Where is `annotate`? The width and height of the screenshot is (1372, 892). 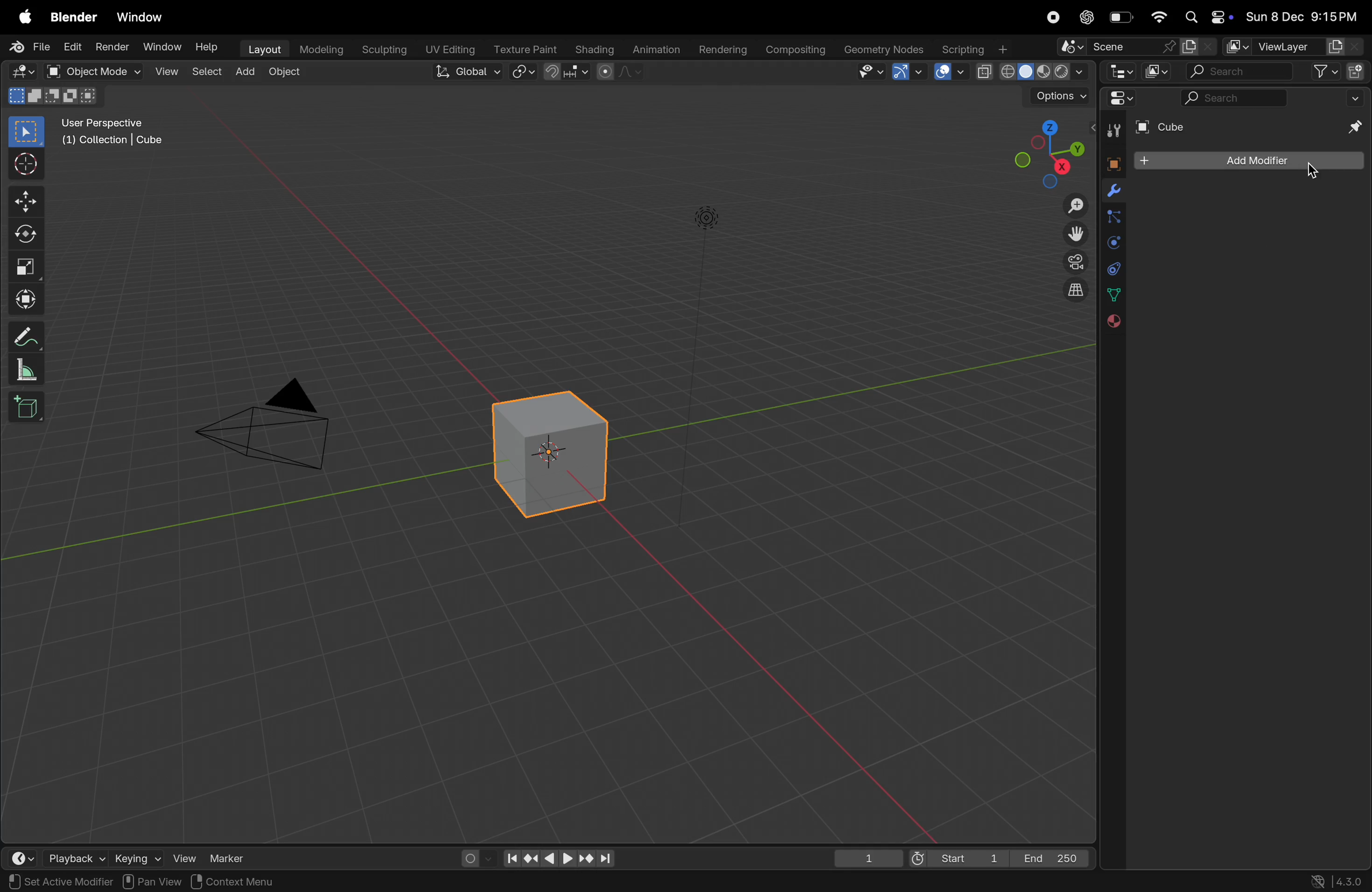
annotate is located at coordinates (26, 337).